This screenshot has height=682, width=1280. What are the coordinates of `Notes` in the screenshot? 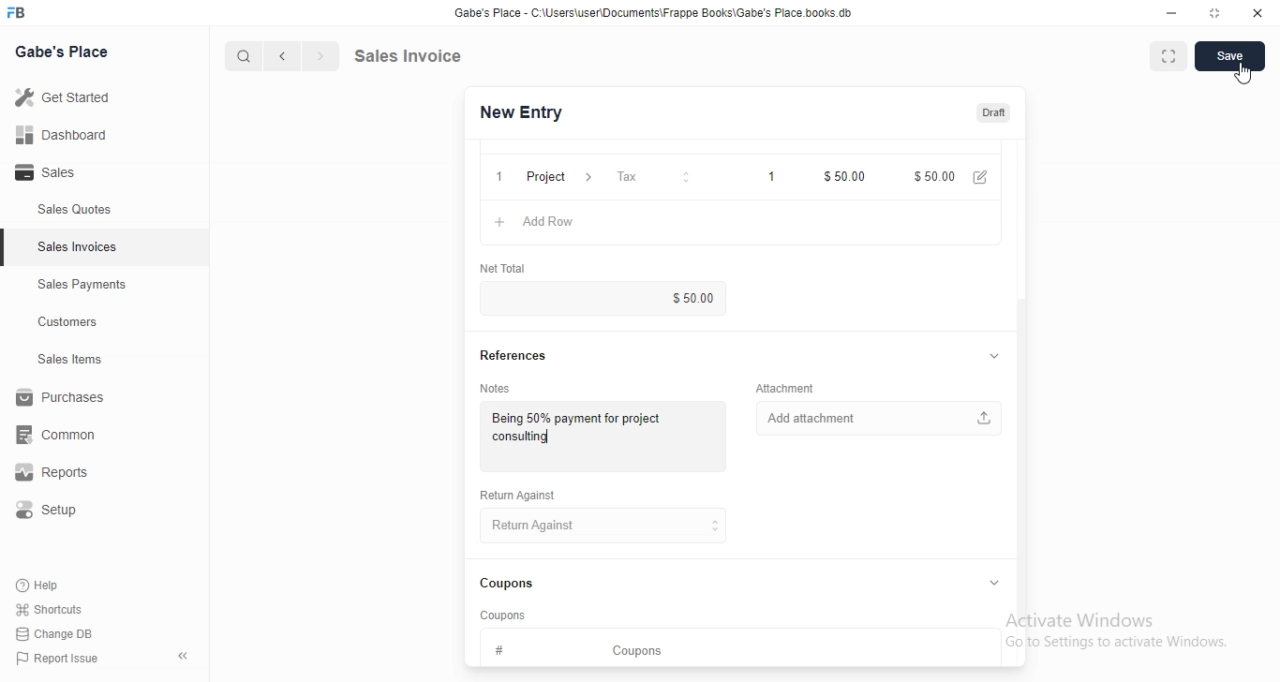 It's located at (502, 388).